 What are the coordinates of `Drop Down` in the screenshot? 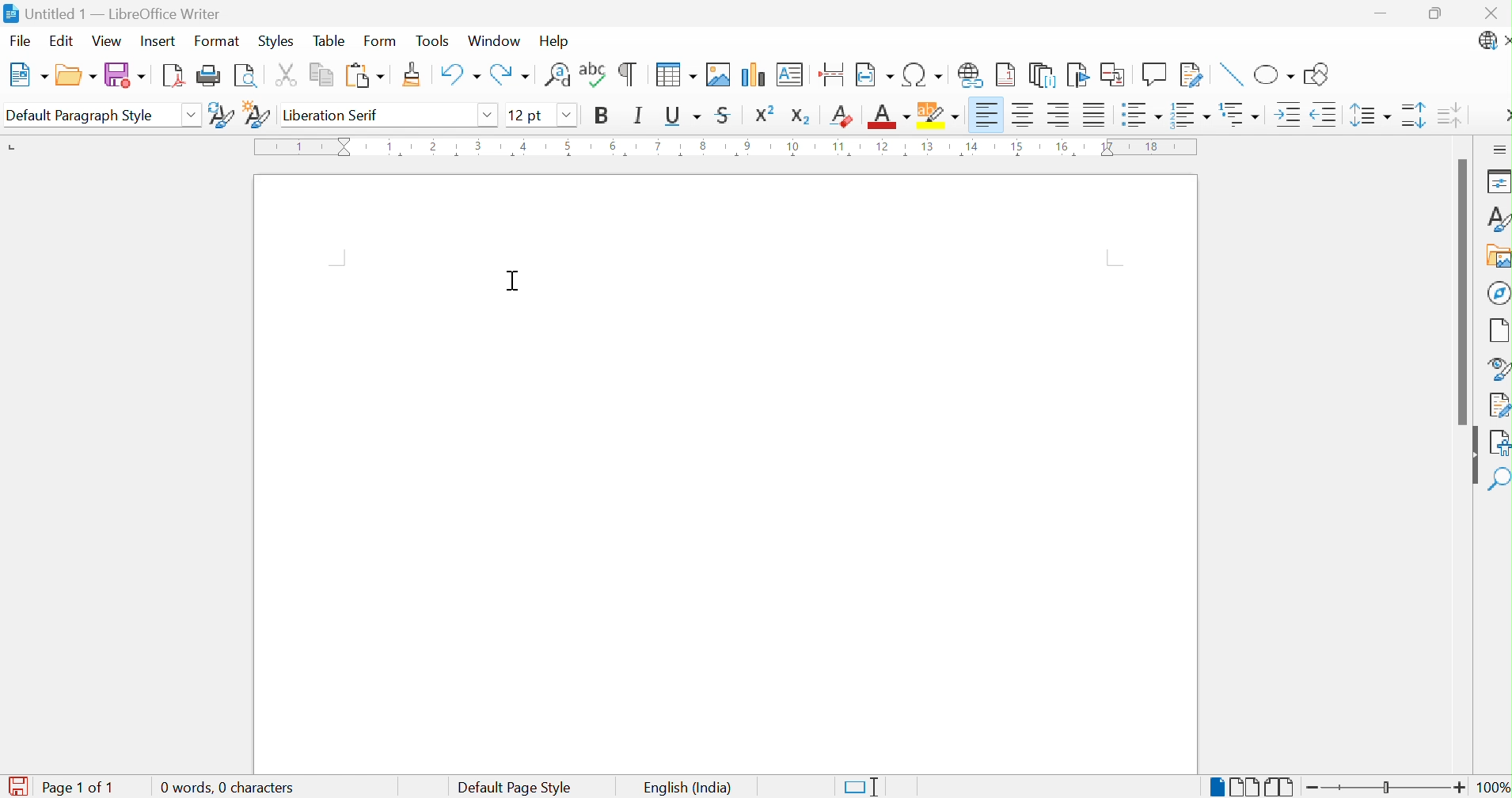 It's located at (192, 113).